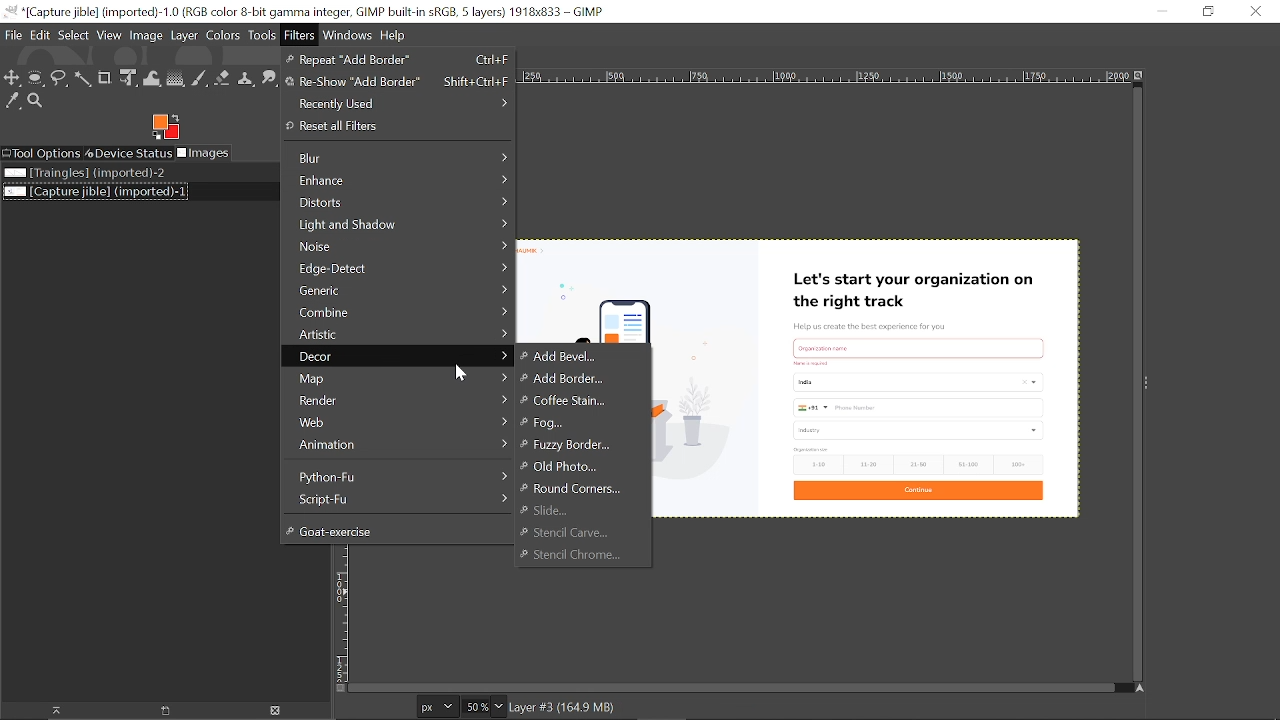  What do you see at coordinates (396, 104) in the screenshot?
I see `Recently used` at bounding box center [396, 104].